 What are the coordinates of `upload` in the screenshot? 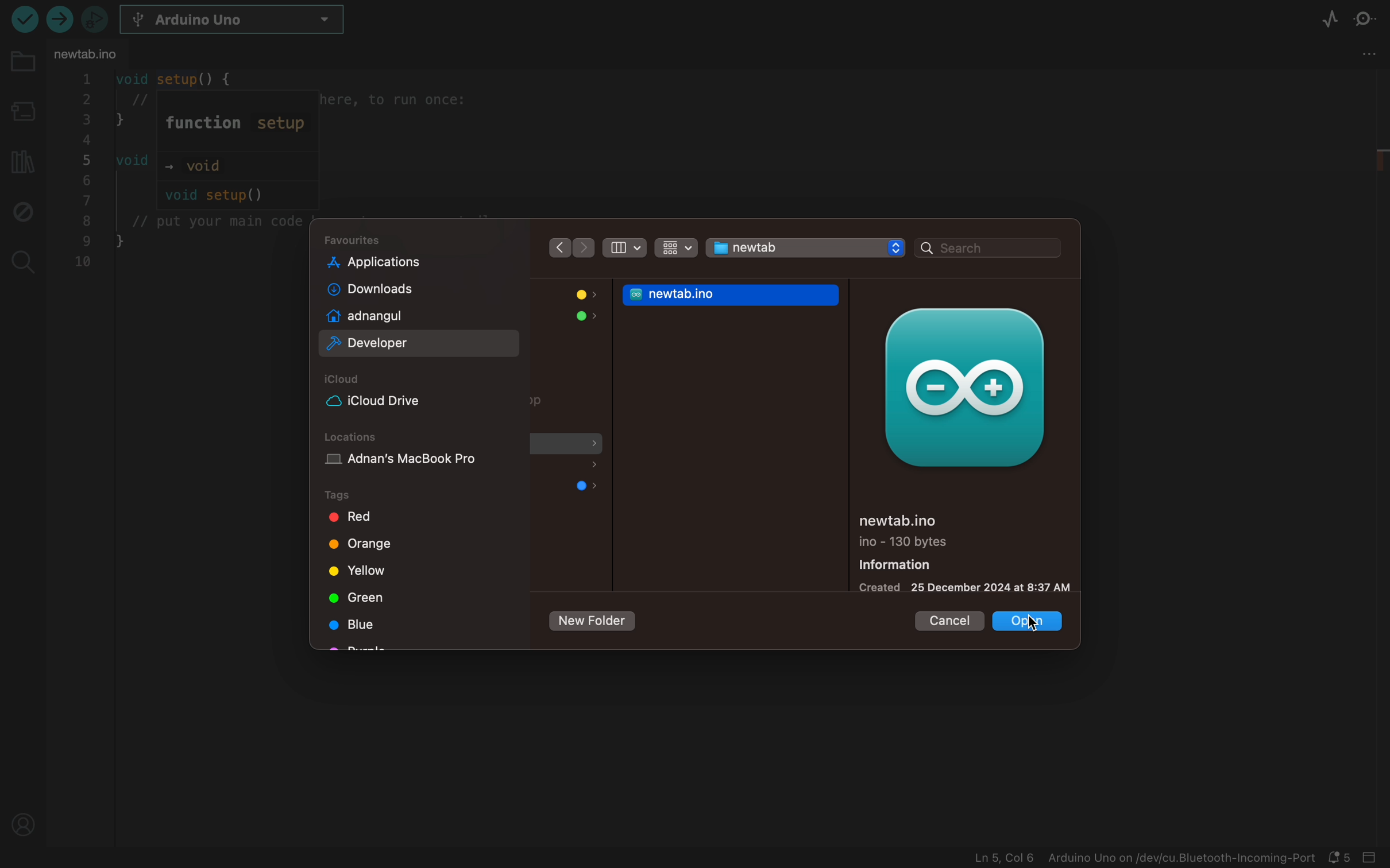 It's located at (23, 18).